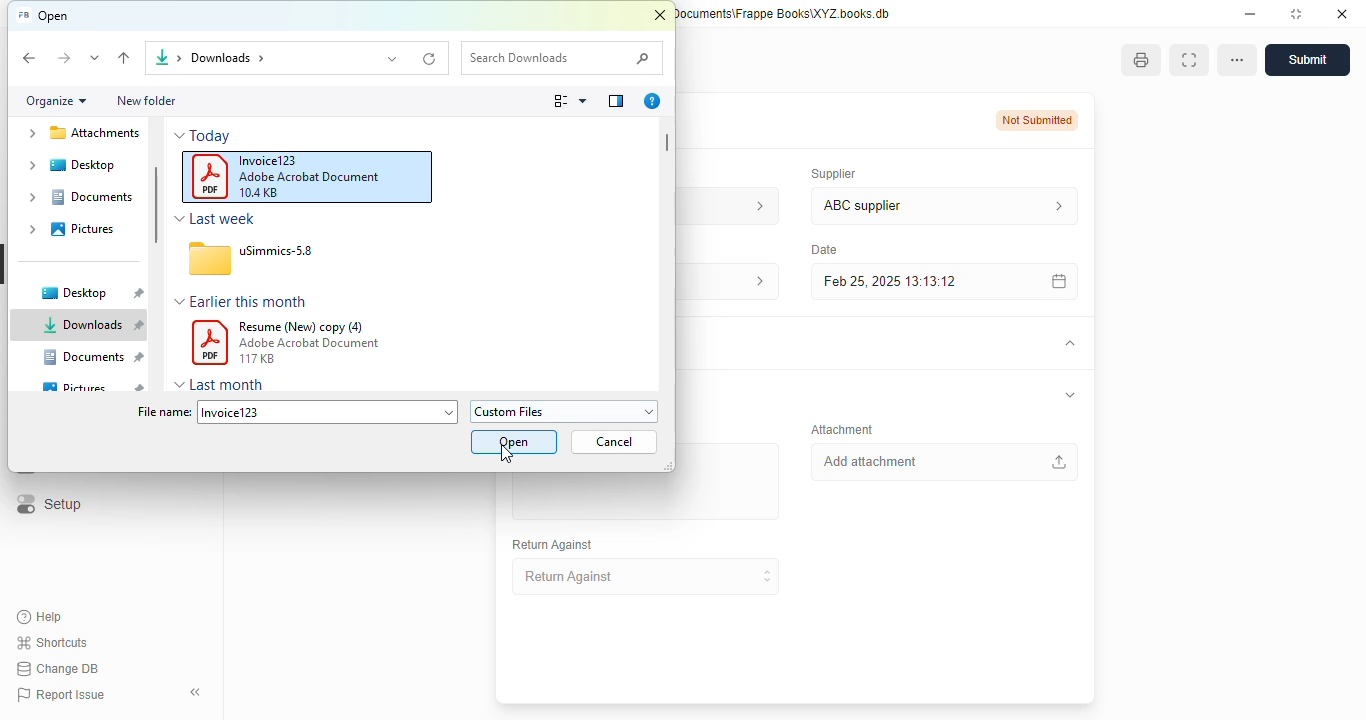 The width and height of the screenshot is (1366, 720). I want to click on toggle maximize, so click(1295, 13).